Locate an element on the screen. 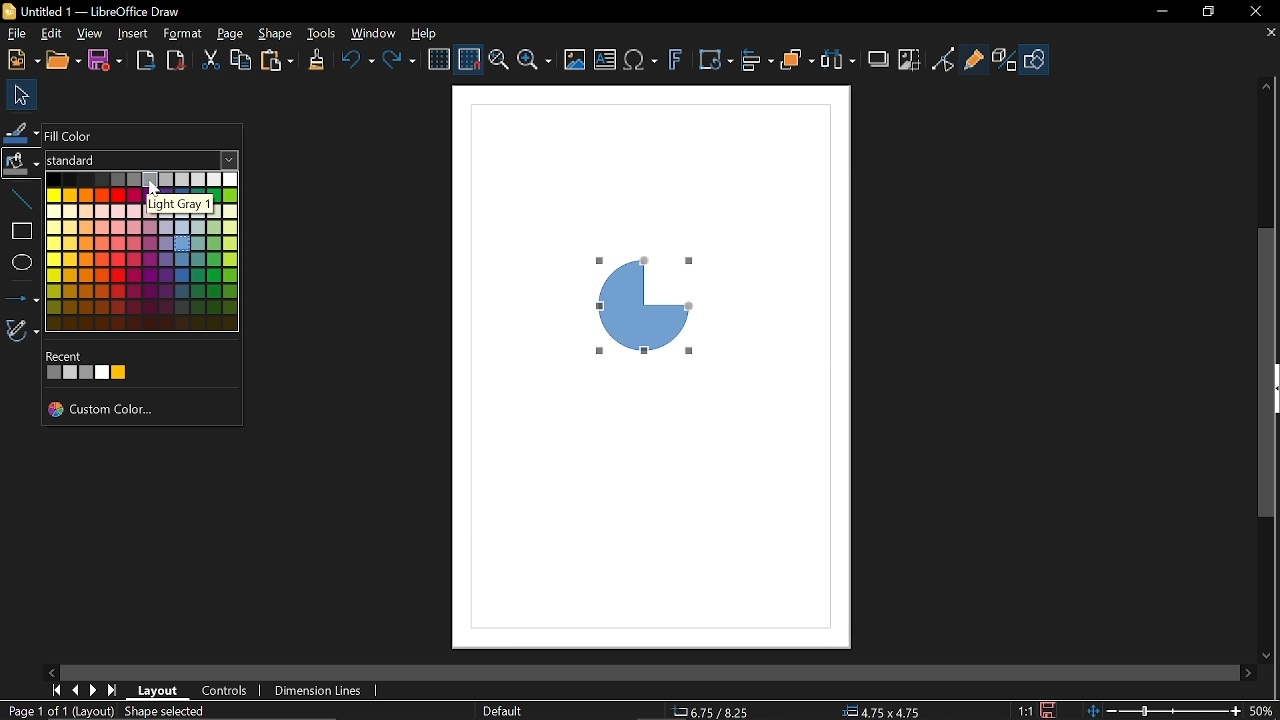  Display grid is located at coordinates (440, 62).